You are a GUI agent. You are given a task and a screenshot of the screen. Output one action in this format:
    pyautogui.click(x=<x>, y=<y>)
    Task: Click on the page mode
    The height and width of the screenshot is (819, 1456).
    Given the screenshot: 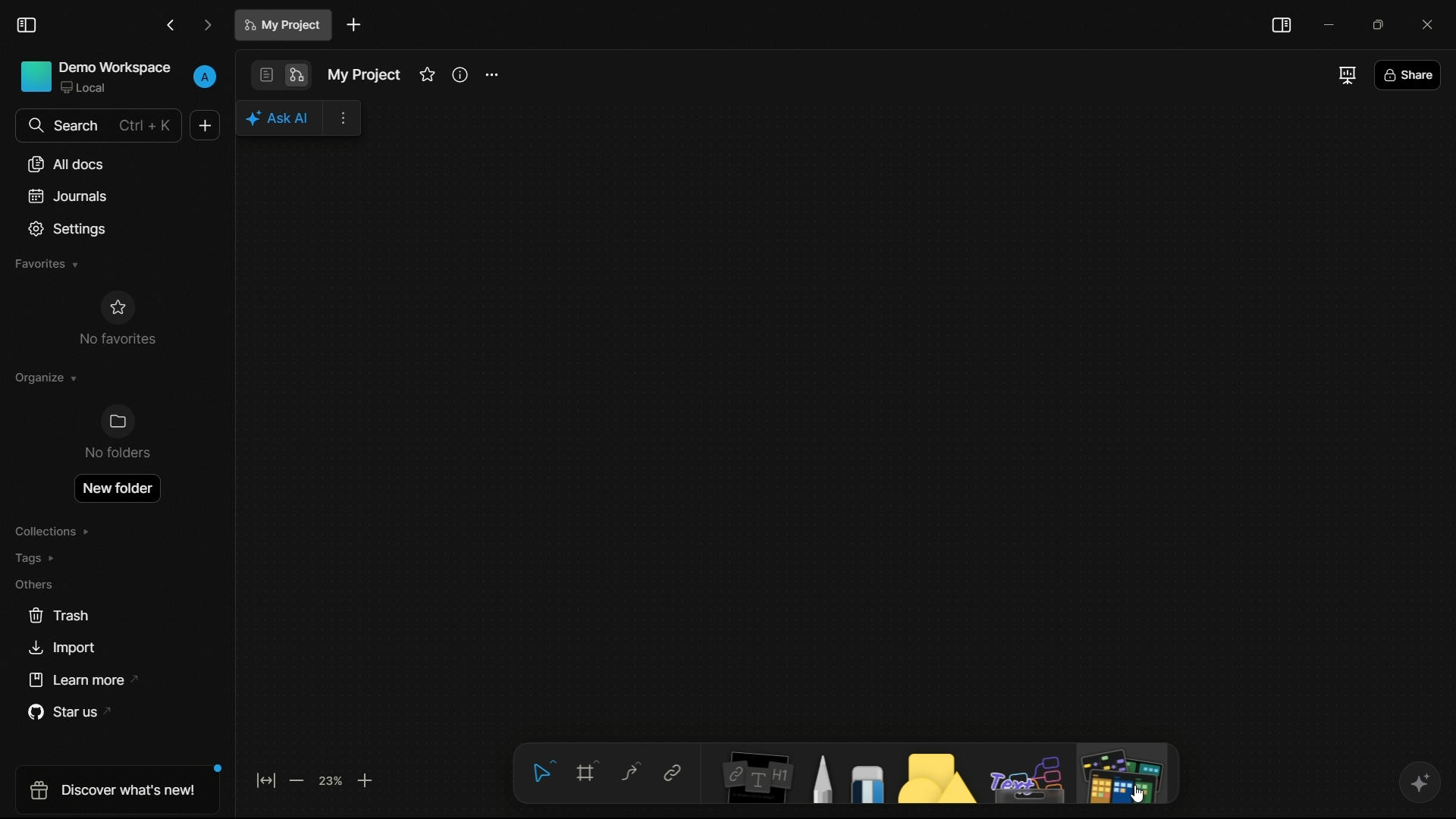 What is the action you would take?
    pyautogui.click(x=265, y=75)
    